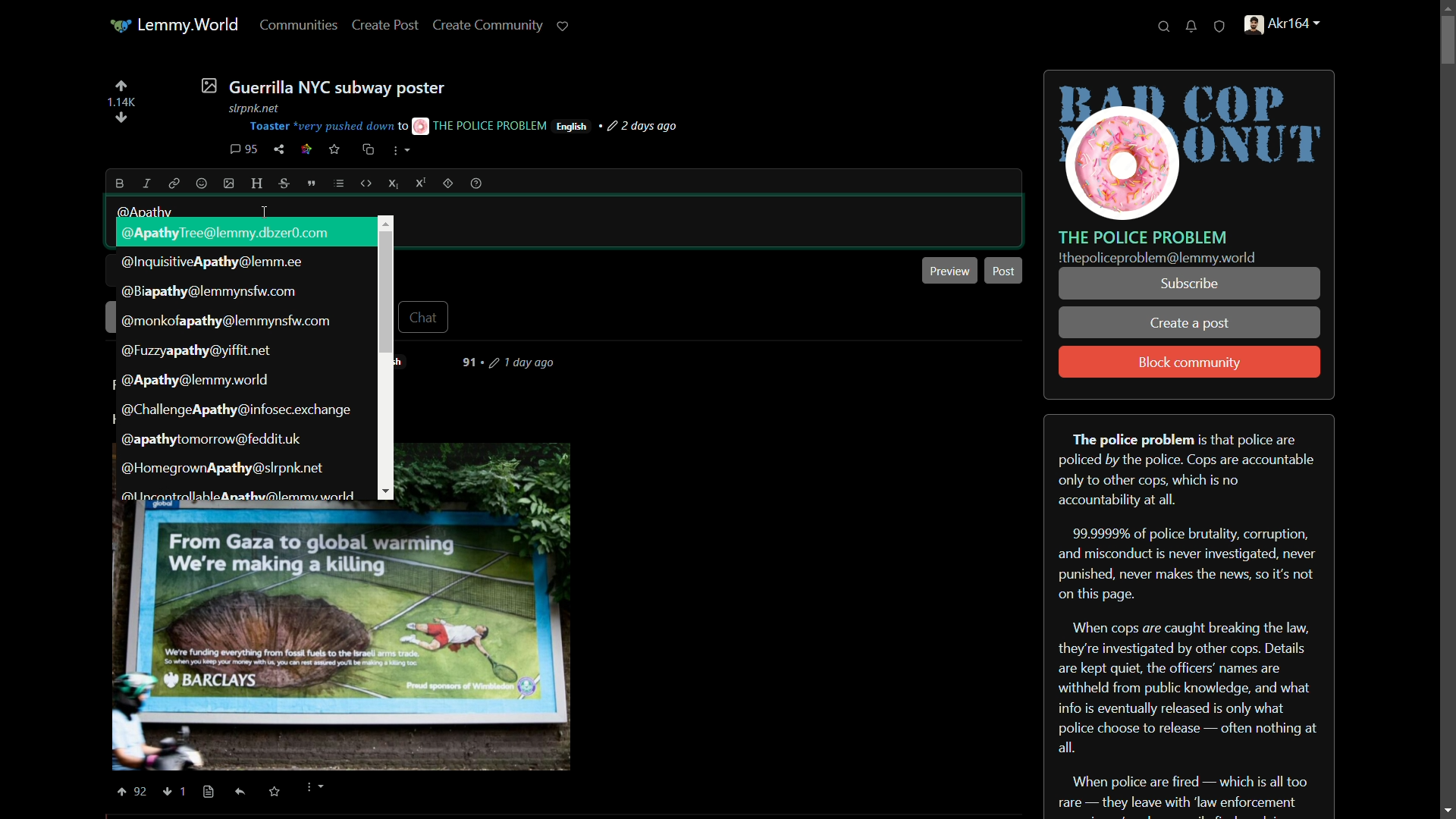 The width and height of the screenshot is (1456, 819). I want to click on strikethrough, so click(286, 184).